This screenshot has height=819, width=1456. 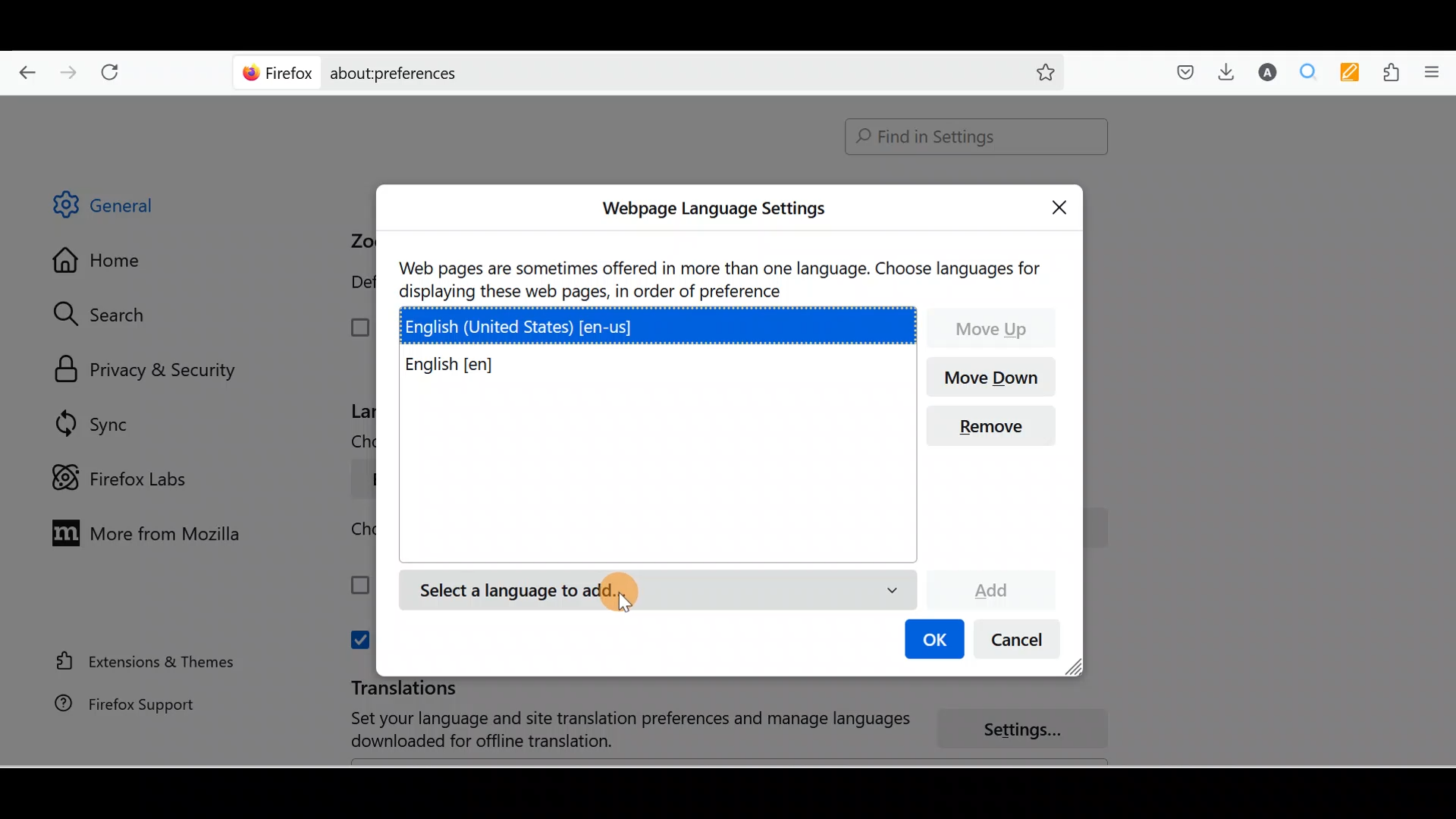 What do you see at coordinates (138, 661) in the screenshot?
I see `Extension & Themes` at bounding box center [138, 661].